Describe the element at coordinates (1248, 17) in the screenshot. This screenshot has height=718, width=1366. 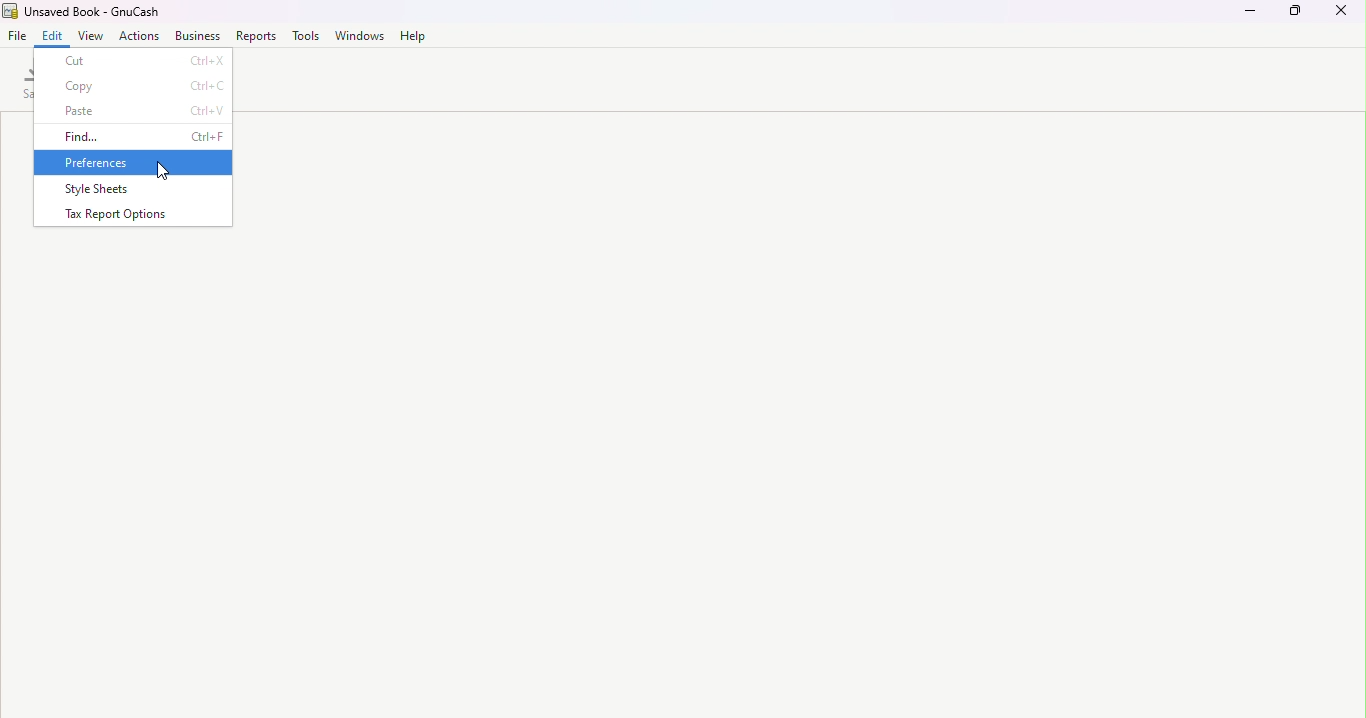
I see `Minimize` at that location.